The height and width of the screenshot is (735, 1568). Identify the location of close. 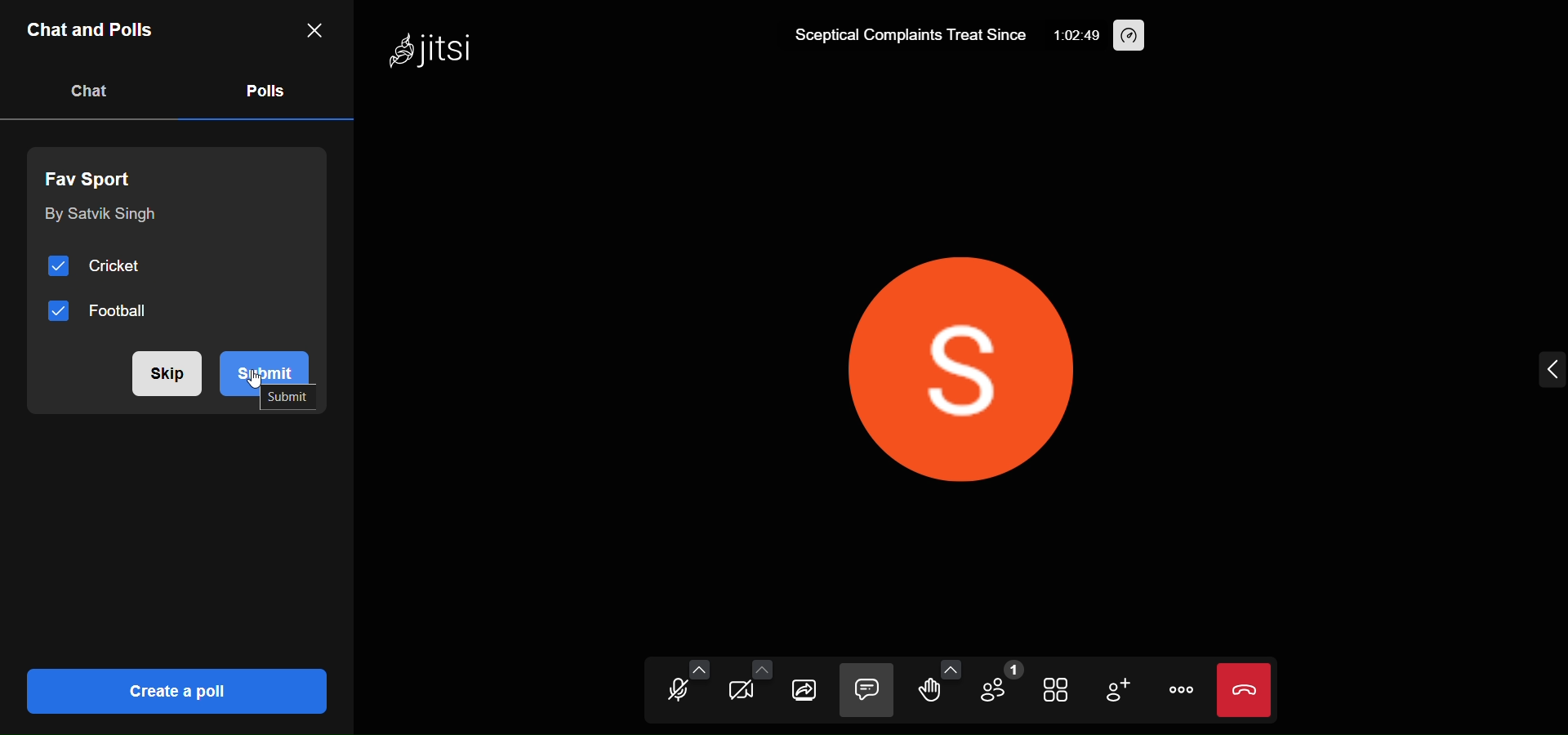
(313, 29).